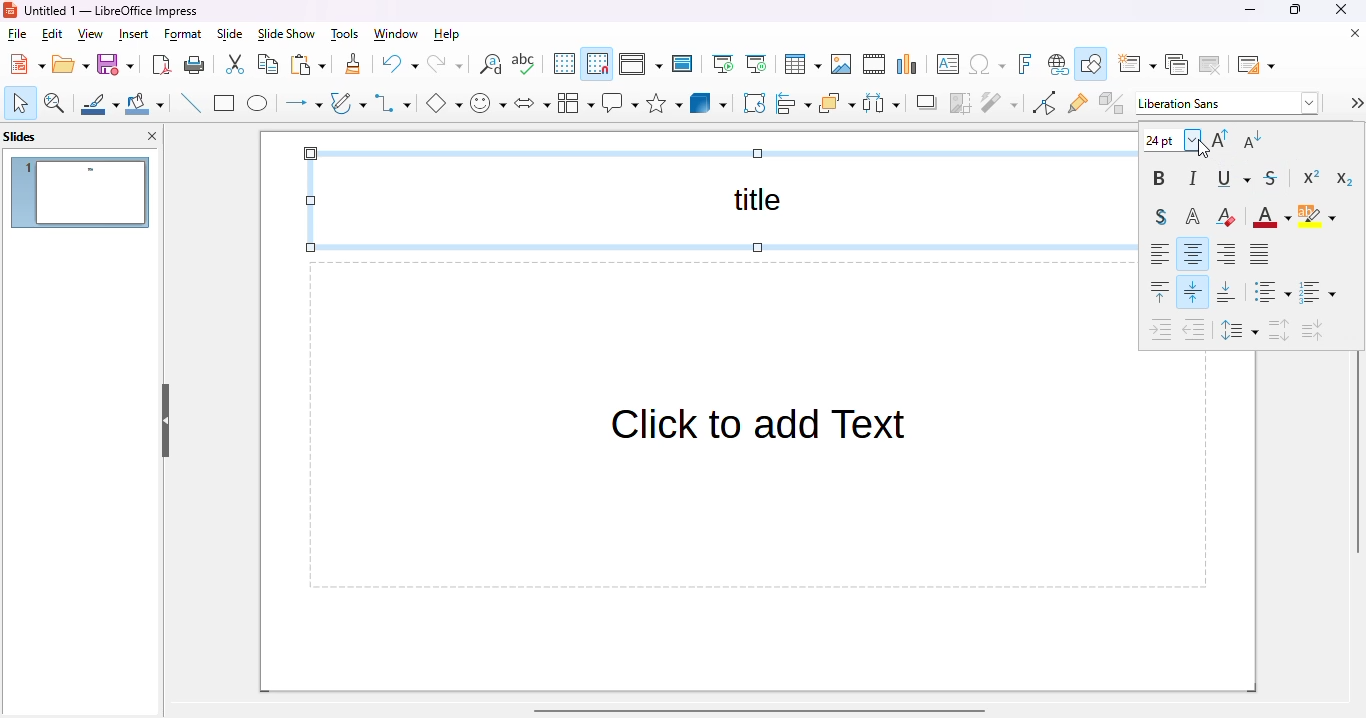  What do you see at coordinates (353, 64) in the screenshot?
I see `clone formatting` at bounding box center [353, 64].